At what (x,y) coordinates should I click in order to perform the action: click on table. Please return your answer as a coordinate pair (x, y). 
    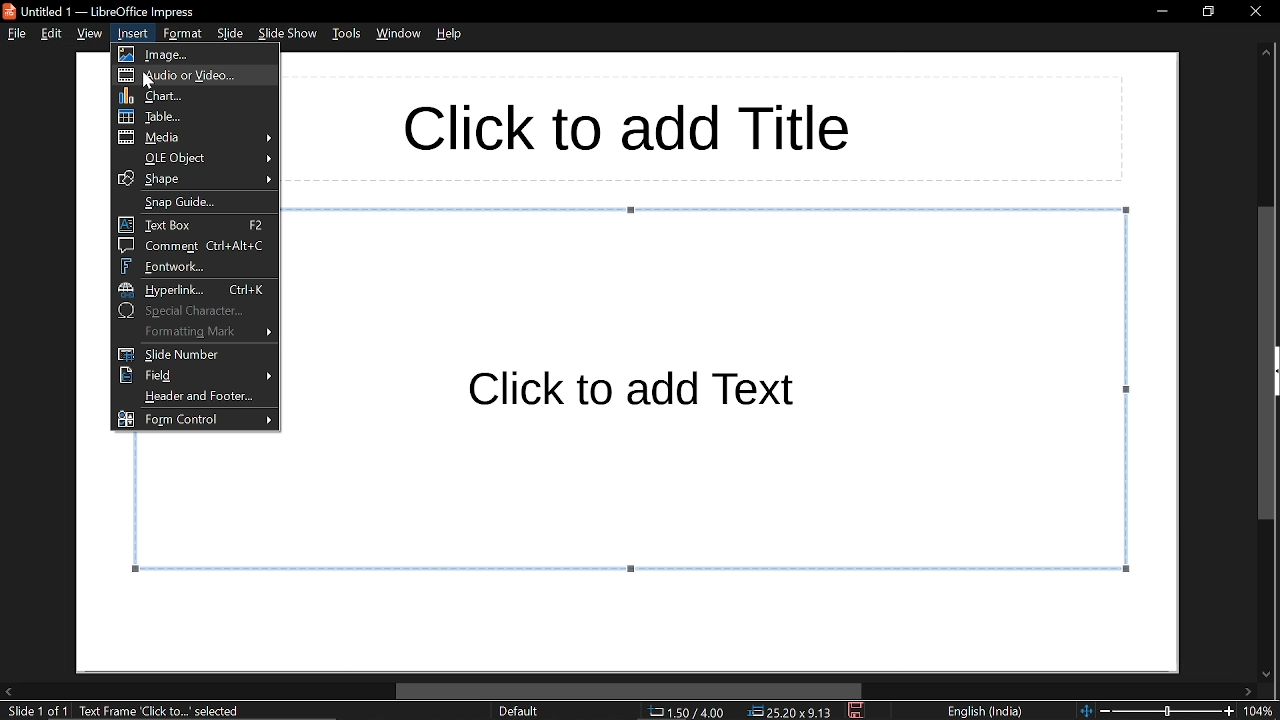
    Looking at the image, I should click on (195, 117).